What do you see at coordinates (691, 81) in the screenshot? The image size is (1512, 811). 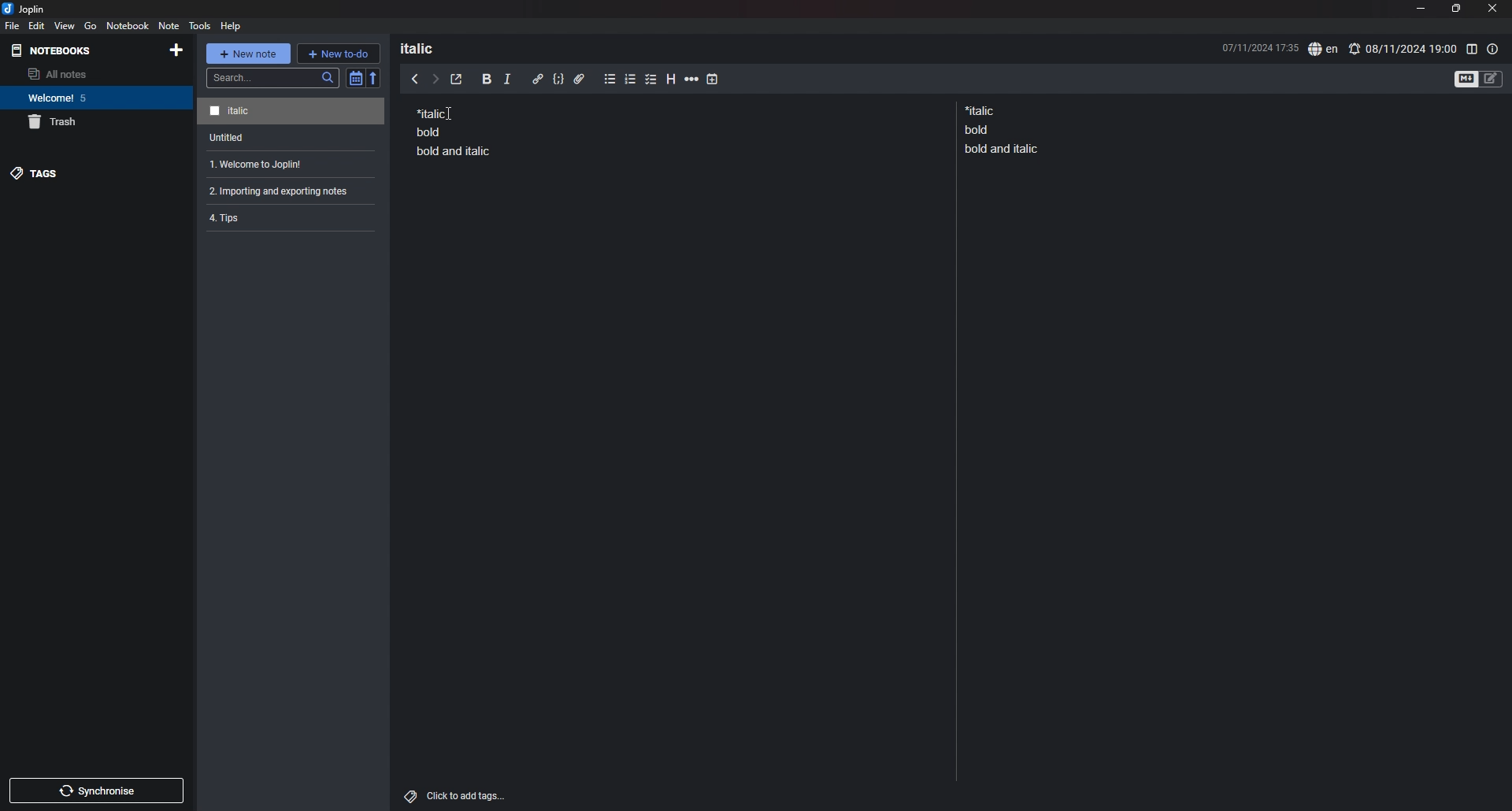 I see `horizontal rule` at bounding box center [691, 81].